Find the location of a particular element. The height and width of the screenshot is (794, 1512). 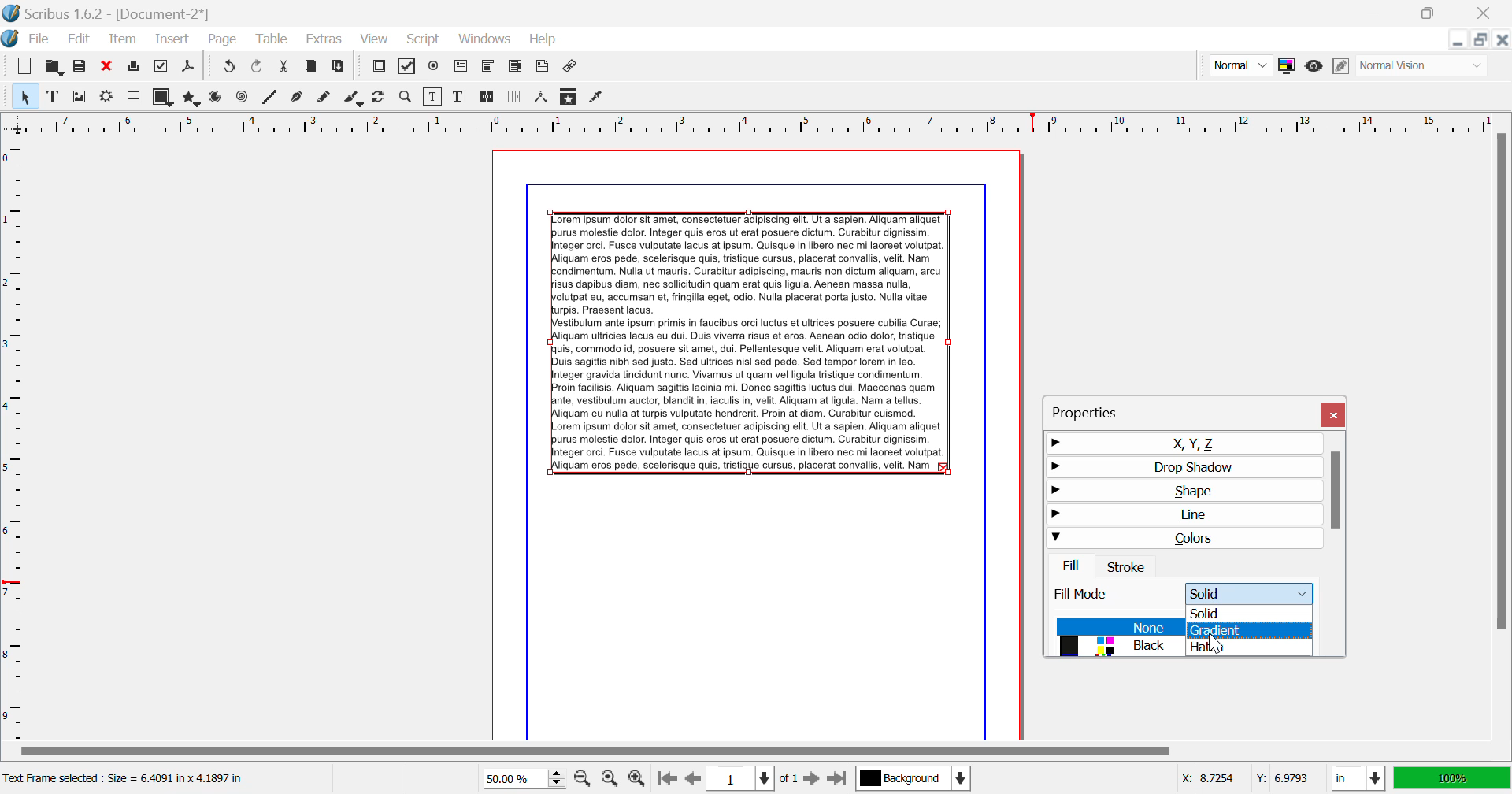

Background is located at coordinates (913, 780).